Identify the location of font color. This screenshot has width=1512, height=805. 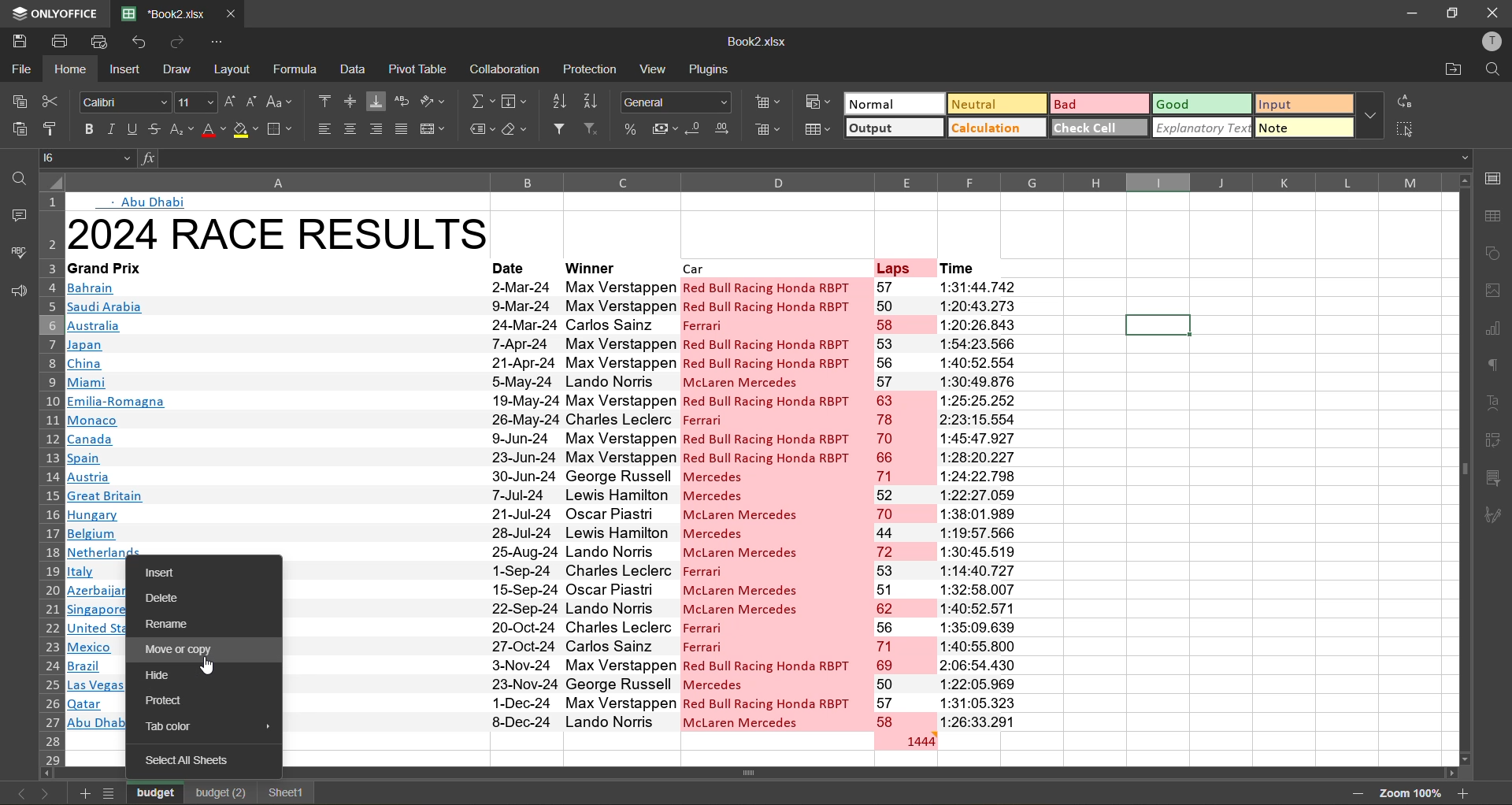
(213, 131).